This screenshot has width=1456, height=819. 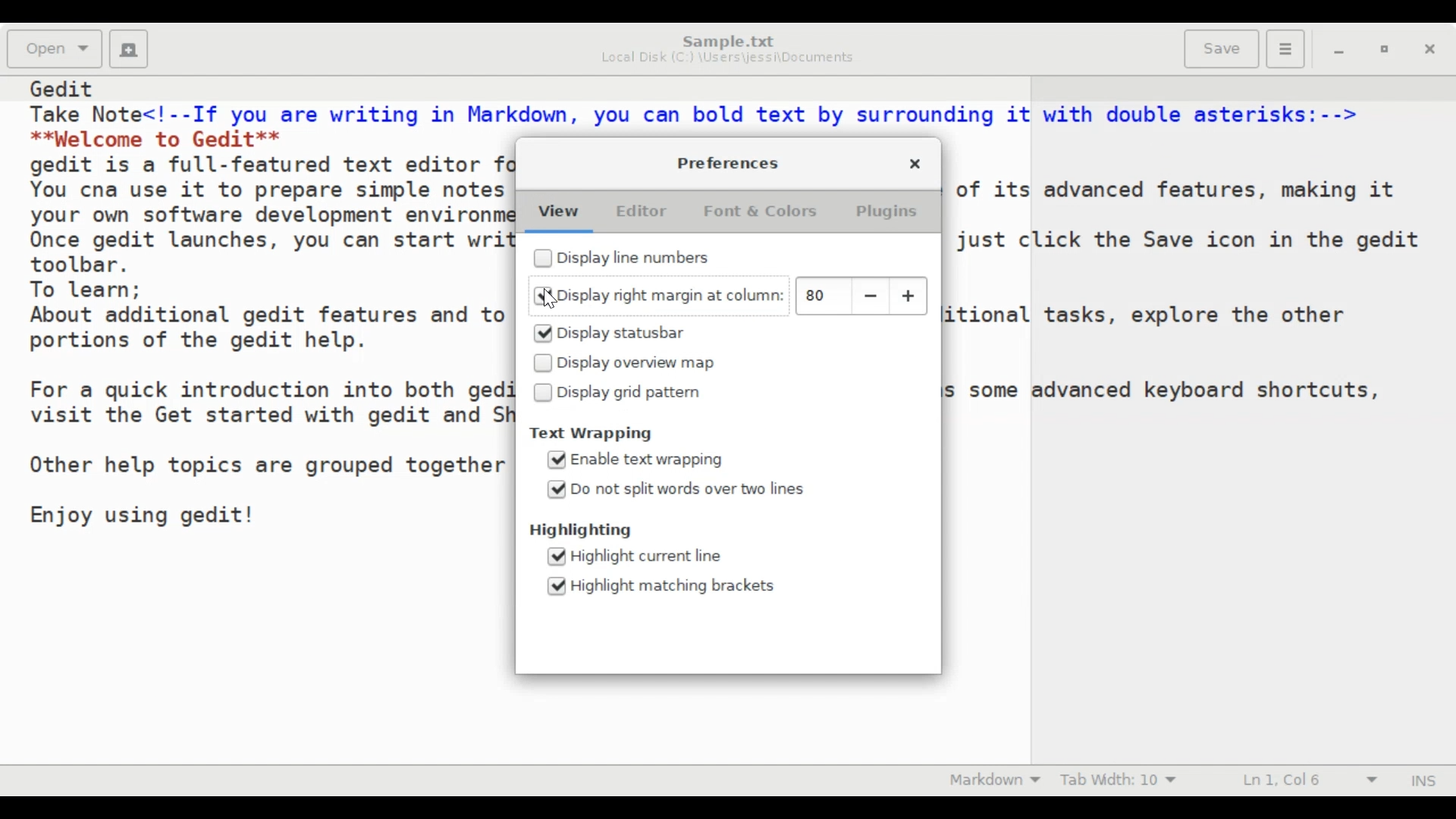 What do you see at coordinates (728, 59) in the screenshot?
I see `Local Disk (C:) \Users\jessi\Documents` at bounding box center [728, 59].